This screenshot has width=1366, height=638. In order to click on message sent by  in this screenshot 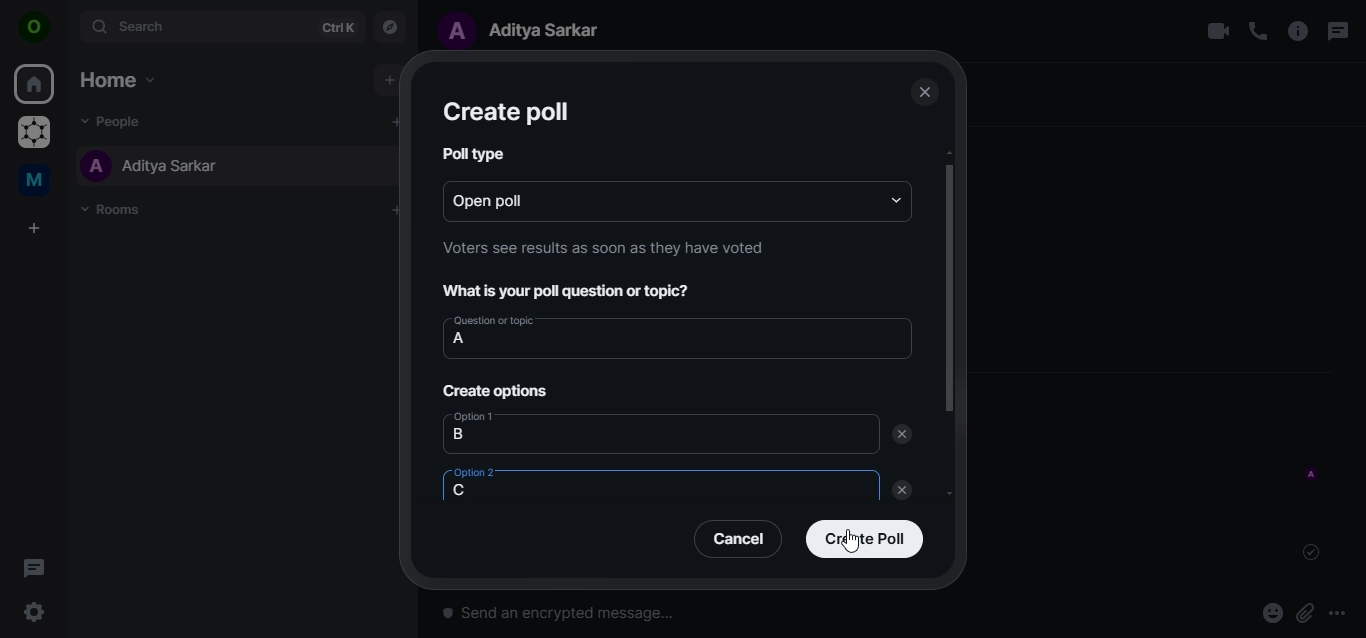, I will do `click(1313, 475)`.